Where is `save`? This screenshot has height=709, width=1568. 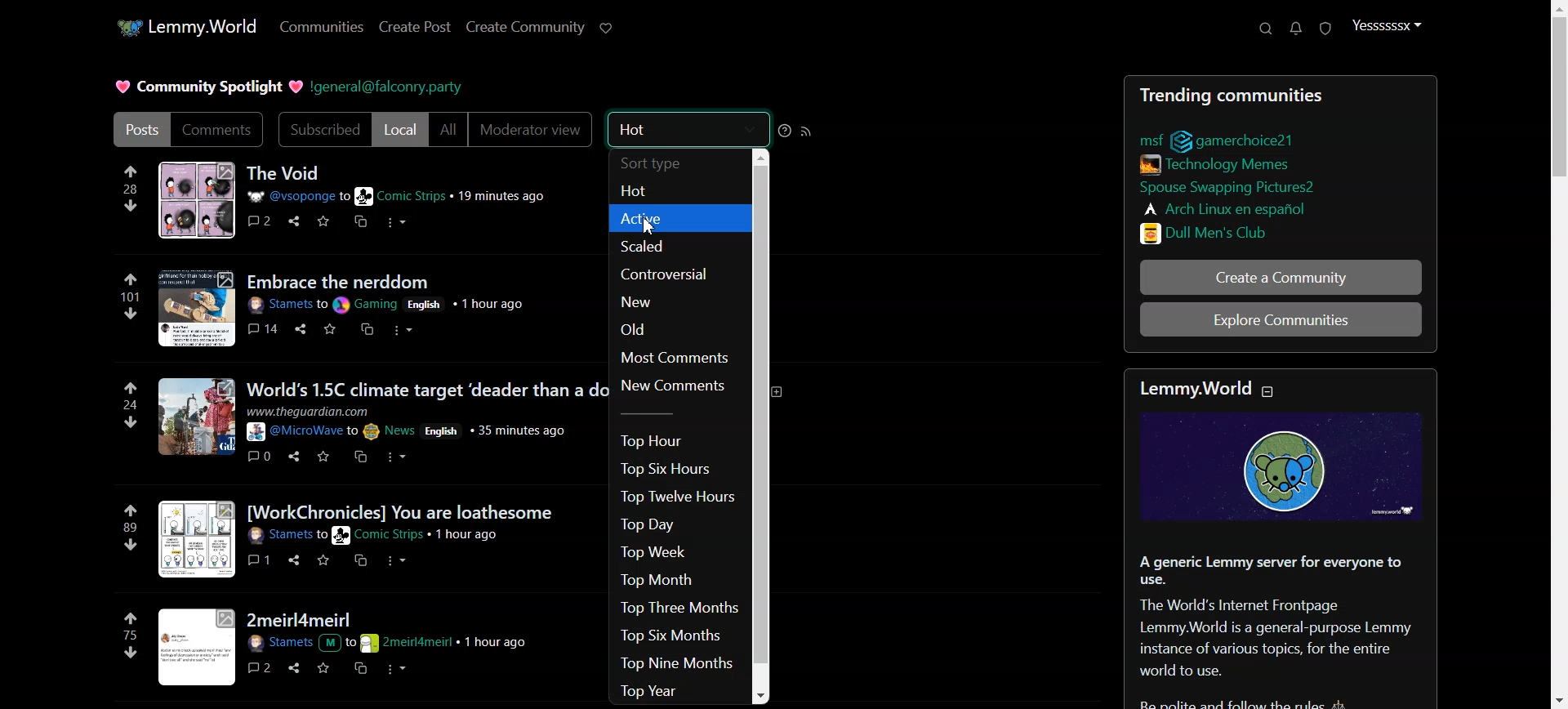 save is located at coordinates (325, 454).